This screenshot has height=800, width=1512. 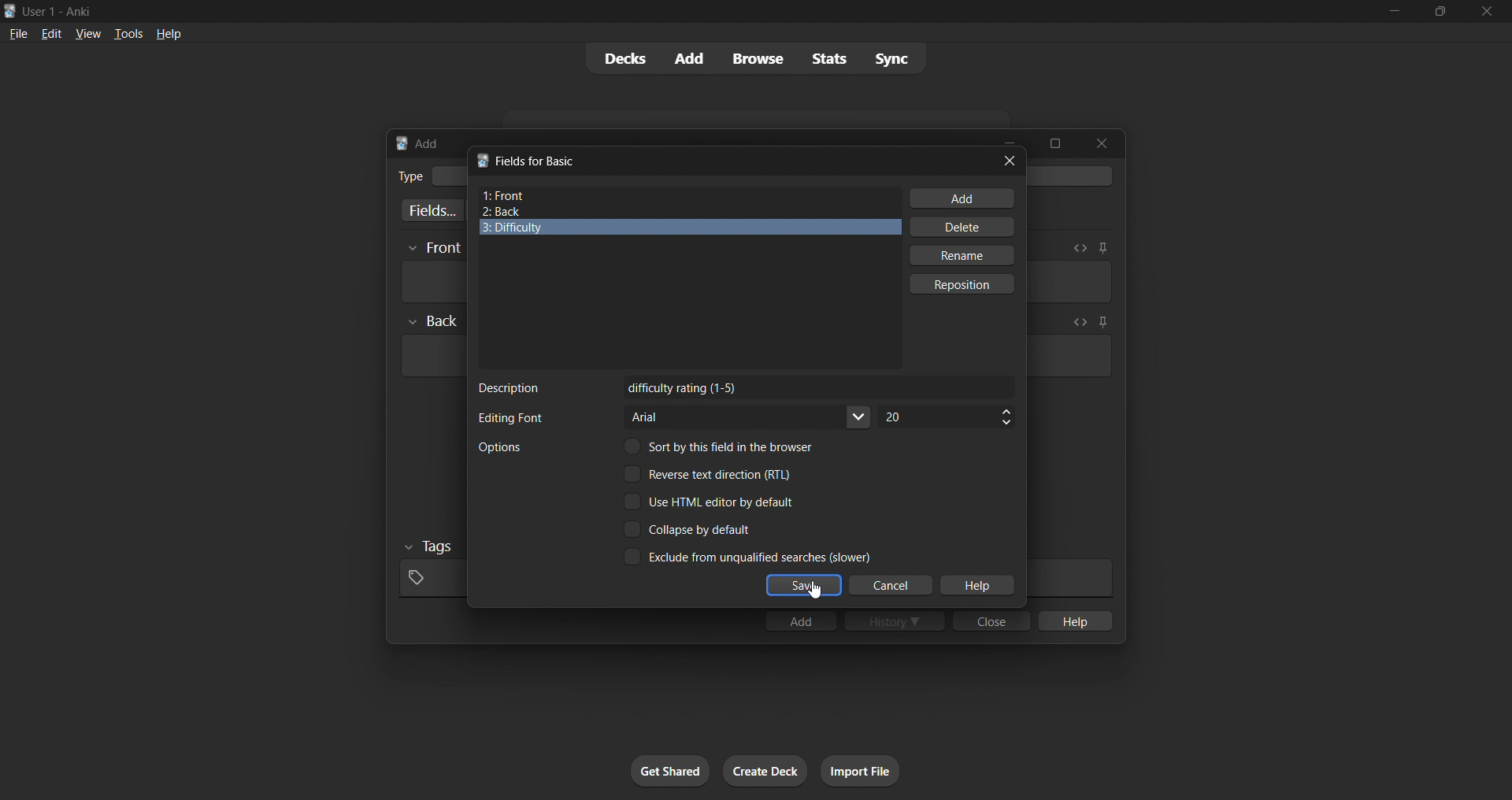 I want to click on close, so click(x=991, y=620).